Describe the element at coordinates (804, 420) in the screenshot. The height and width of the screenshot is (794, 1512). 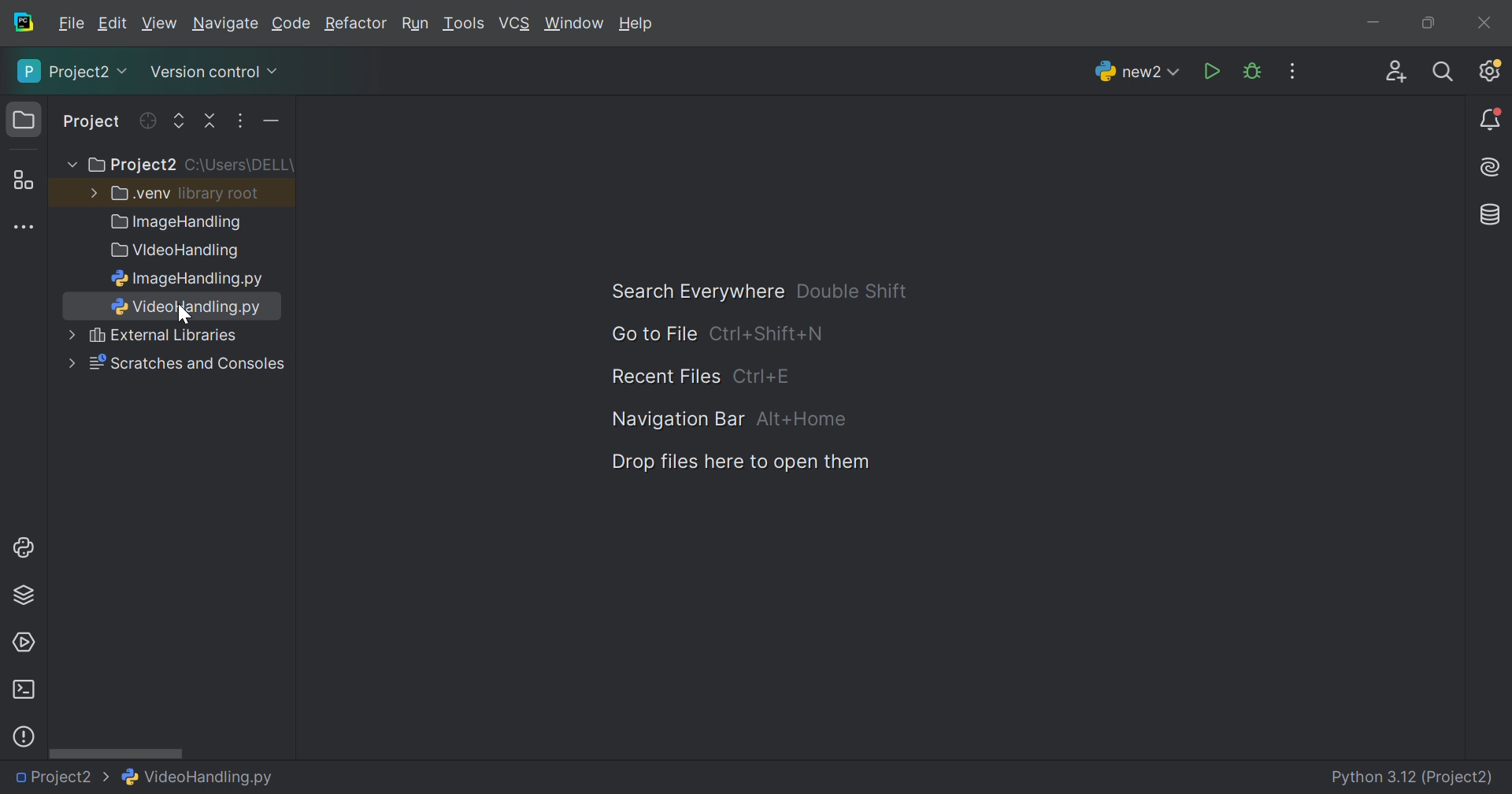
I see `Alt+Home` at that location.